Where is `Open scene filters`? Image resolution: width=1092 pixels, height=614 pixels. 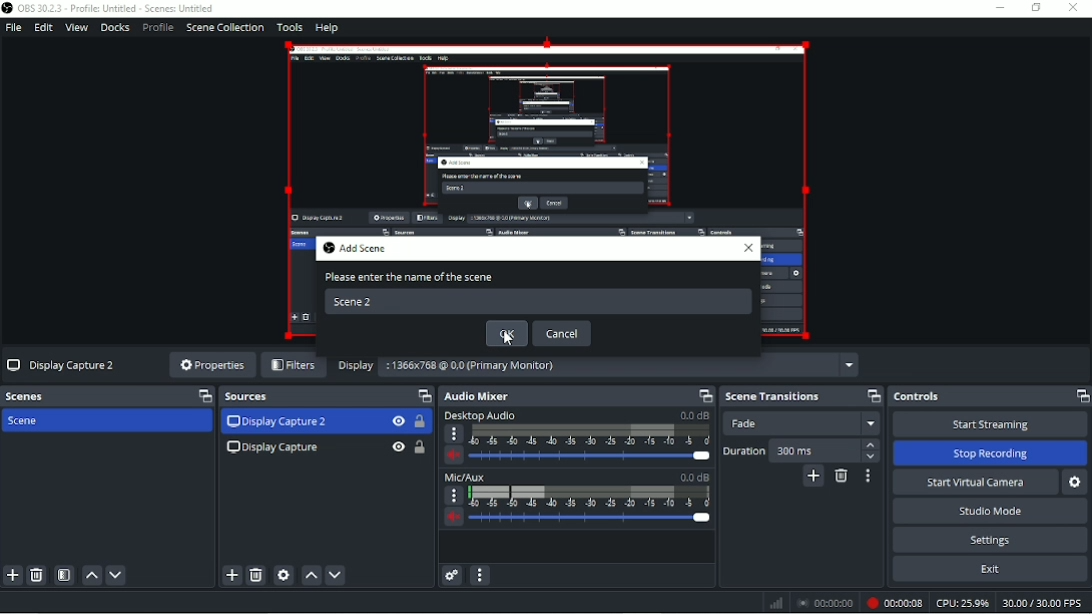 Open scene filters is located at coordinates (64, 575).